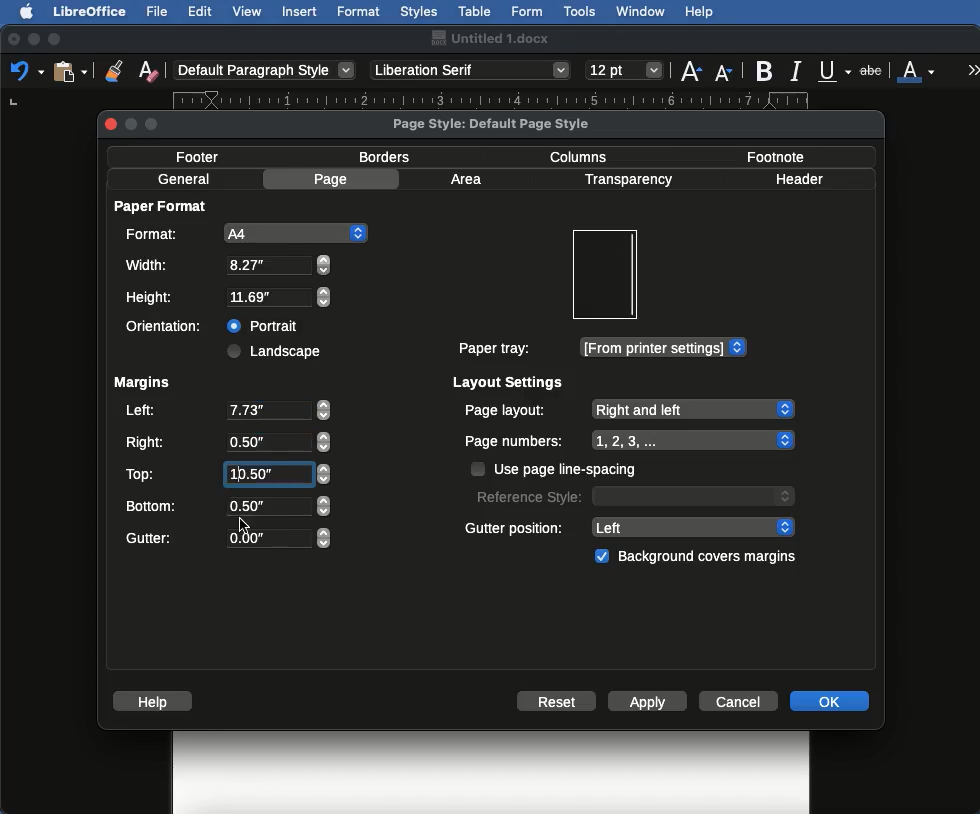 This screenshot has width=980, height=814. What do you see at coordinates (475, 9) in the screenshot?
I see `Table` at bounding box center [475, 9].